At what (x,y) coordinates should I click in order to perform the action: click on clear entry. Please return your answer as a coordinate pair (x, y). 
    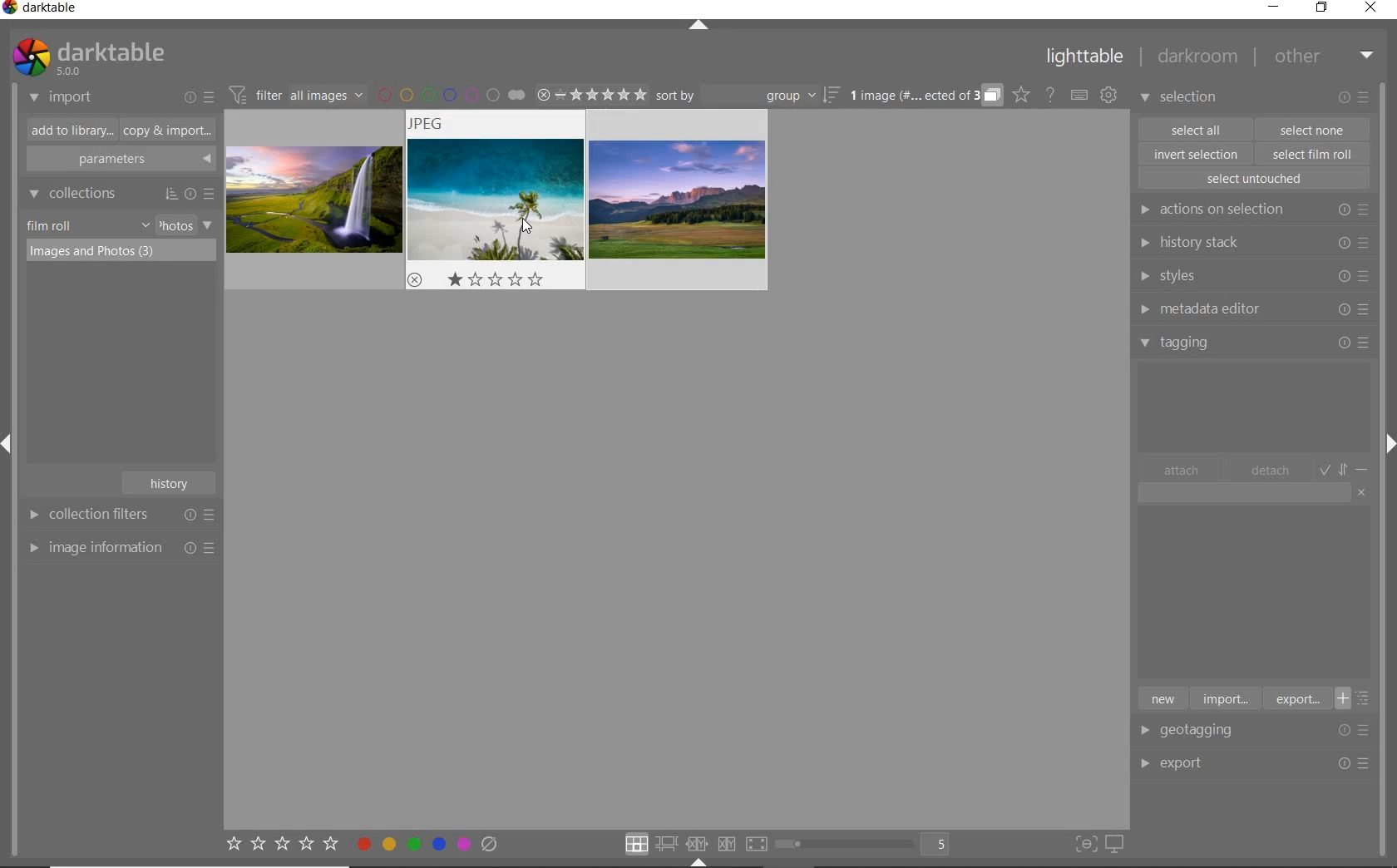
    Looking at the image, I should click on (1362, 491).